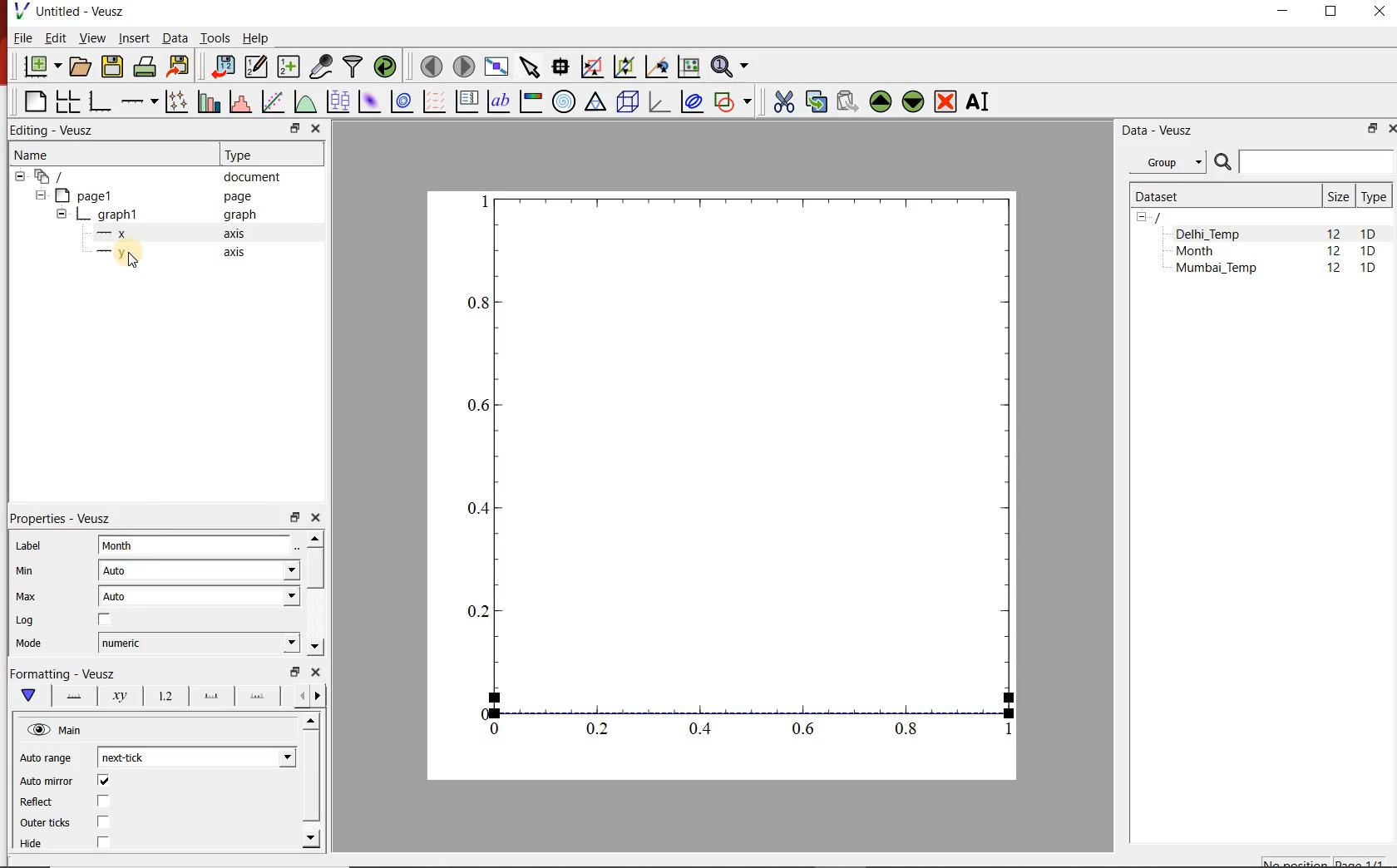  Describe the element at coordinates (657, 101) in the screenshot. I see `3d graph` at that location.